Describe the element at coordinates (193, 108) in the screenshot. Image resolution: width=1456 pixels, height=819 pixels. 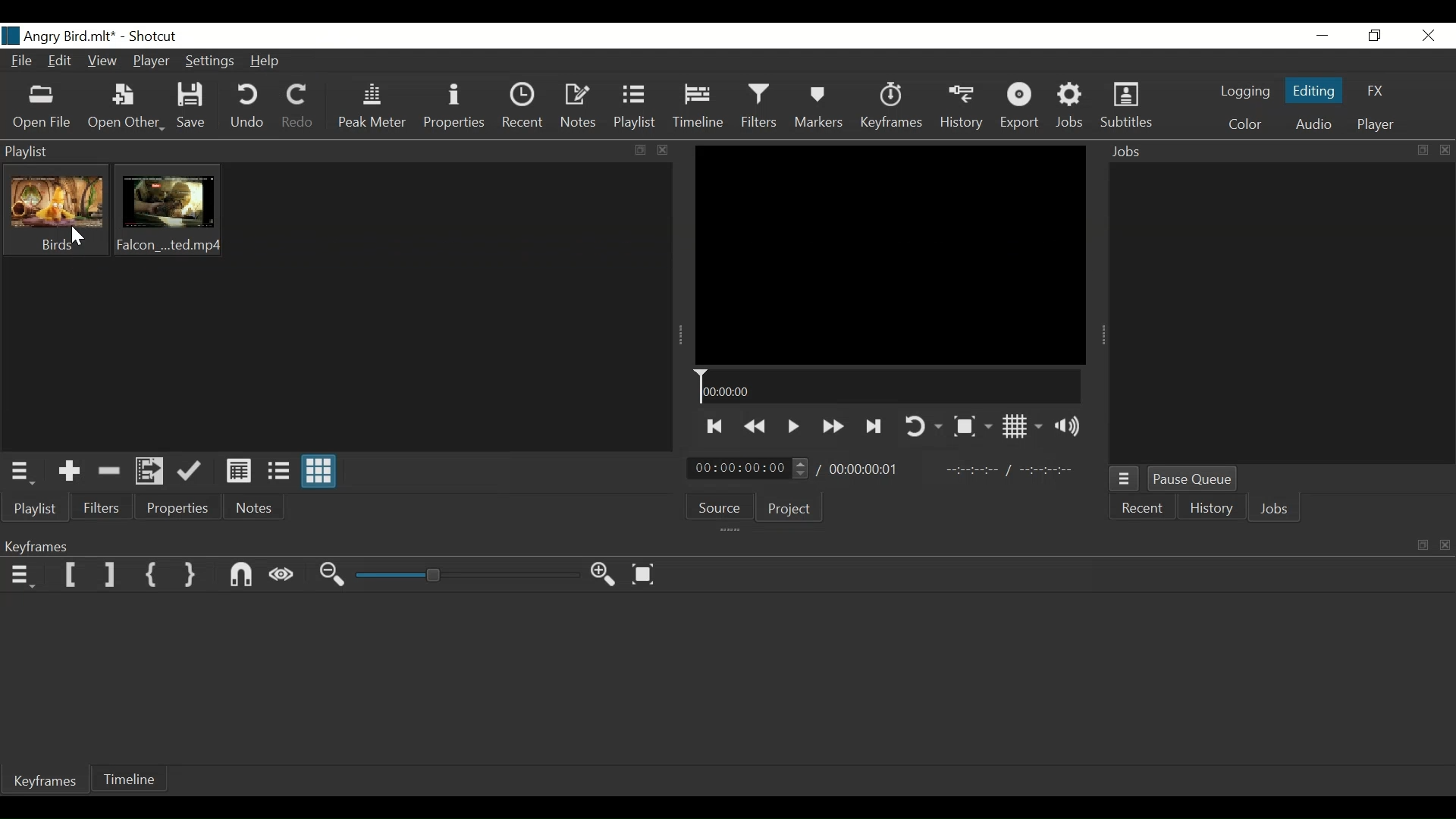
I see `Save` at that location.